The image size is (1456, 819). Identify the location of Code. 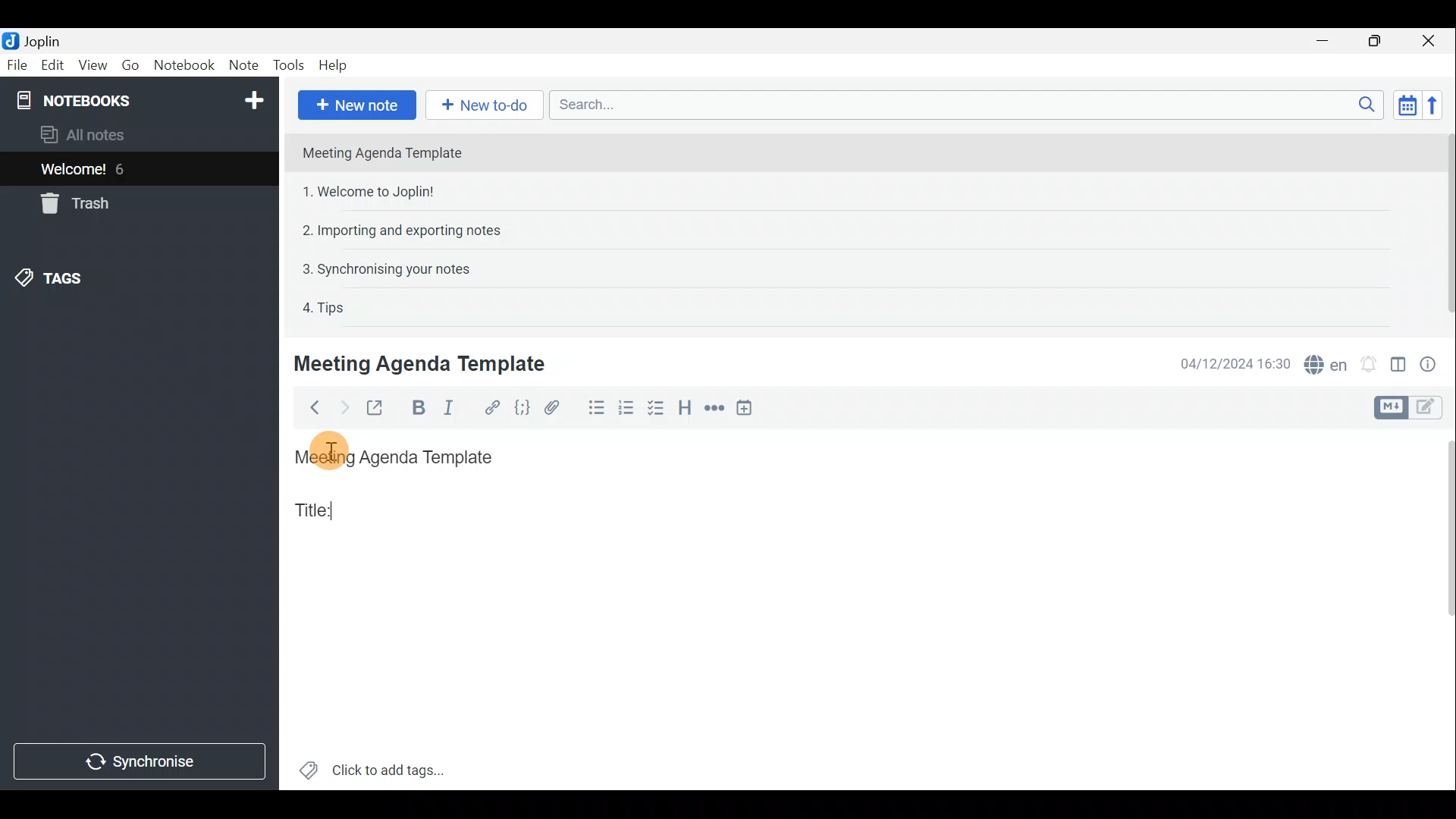
(524, 410).